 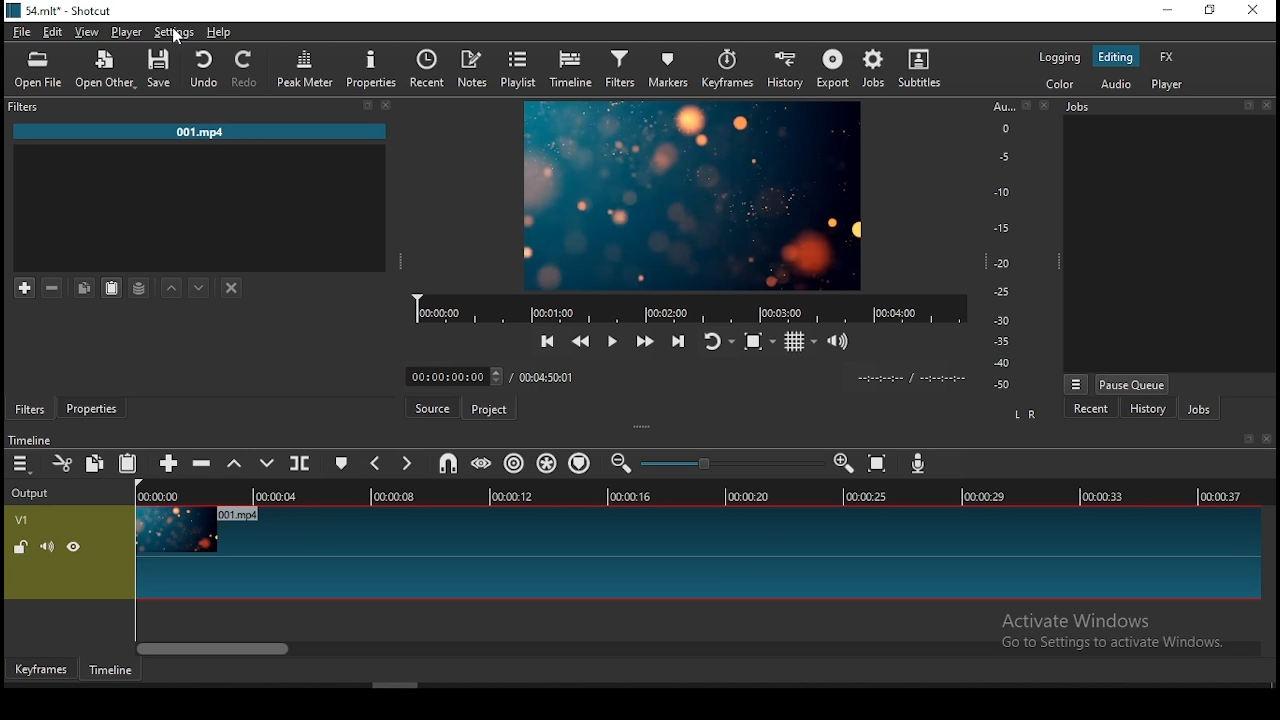 What do you see at coordinates (1115, 83) in the screenshot?
I see `audio` at bounding box center [1115, 83].